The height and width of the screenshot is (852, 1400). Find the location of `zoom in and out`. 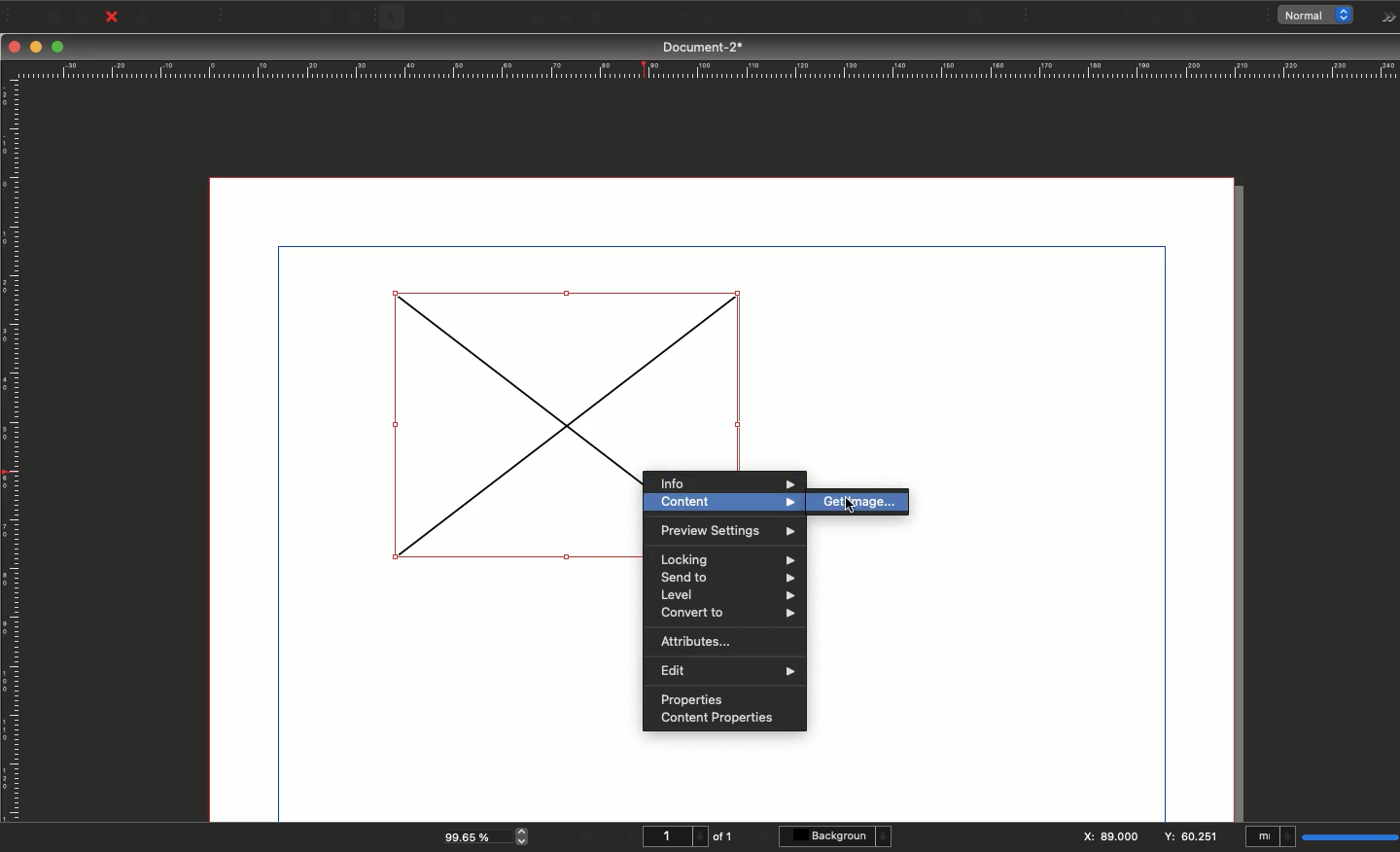

zoom in and out is located at coordinates (525, 835).